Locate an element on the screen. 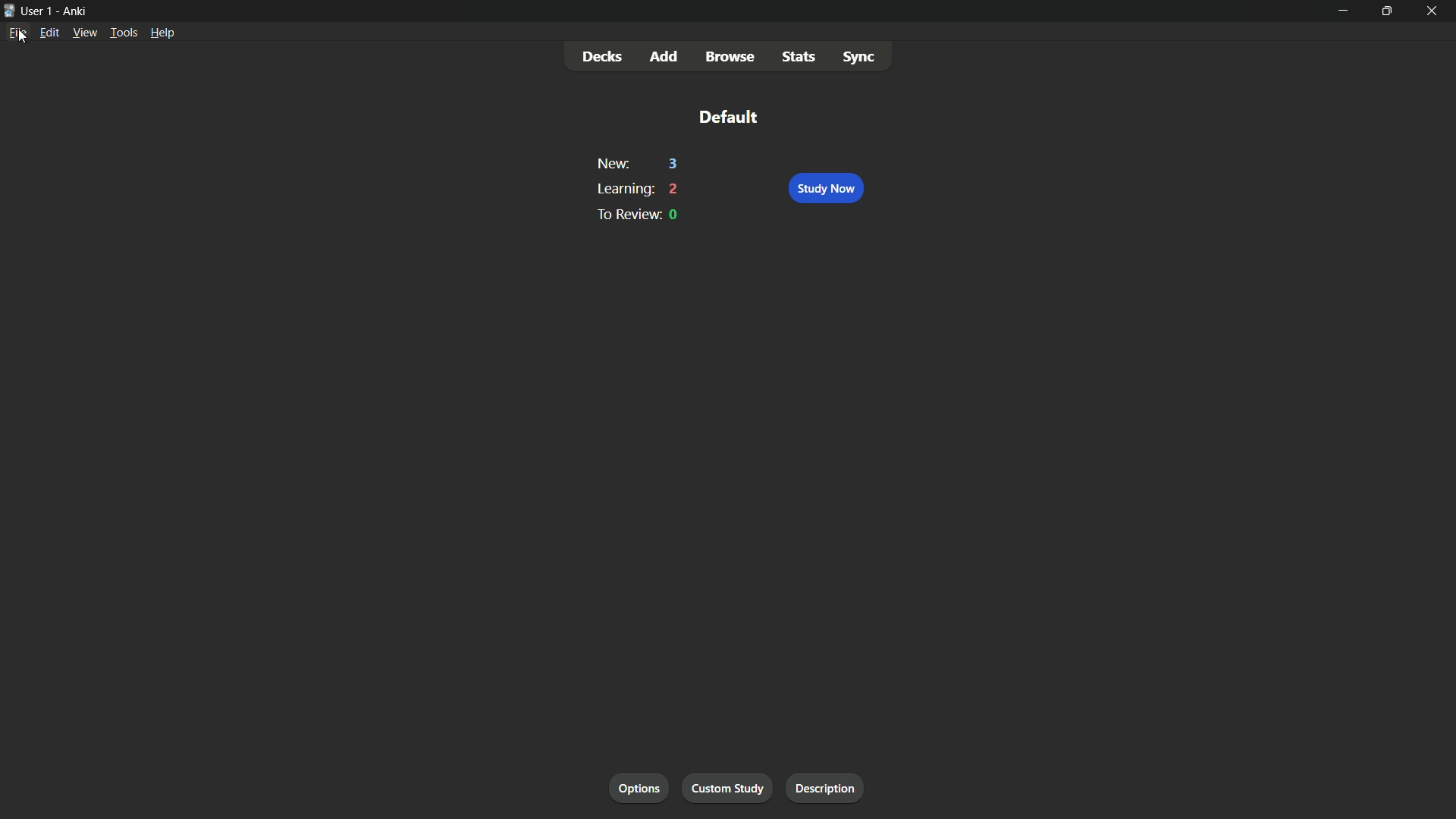 The height and width of the screenshot is (819, 1456). study now is located at coordinates (825, 189).